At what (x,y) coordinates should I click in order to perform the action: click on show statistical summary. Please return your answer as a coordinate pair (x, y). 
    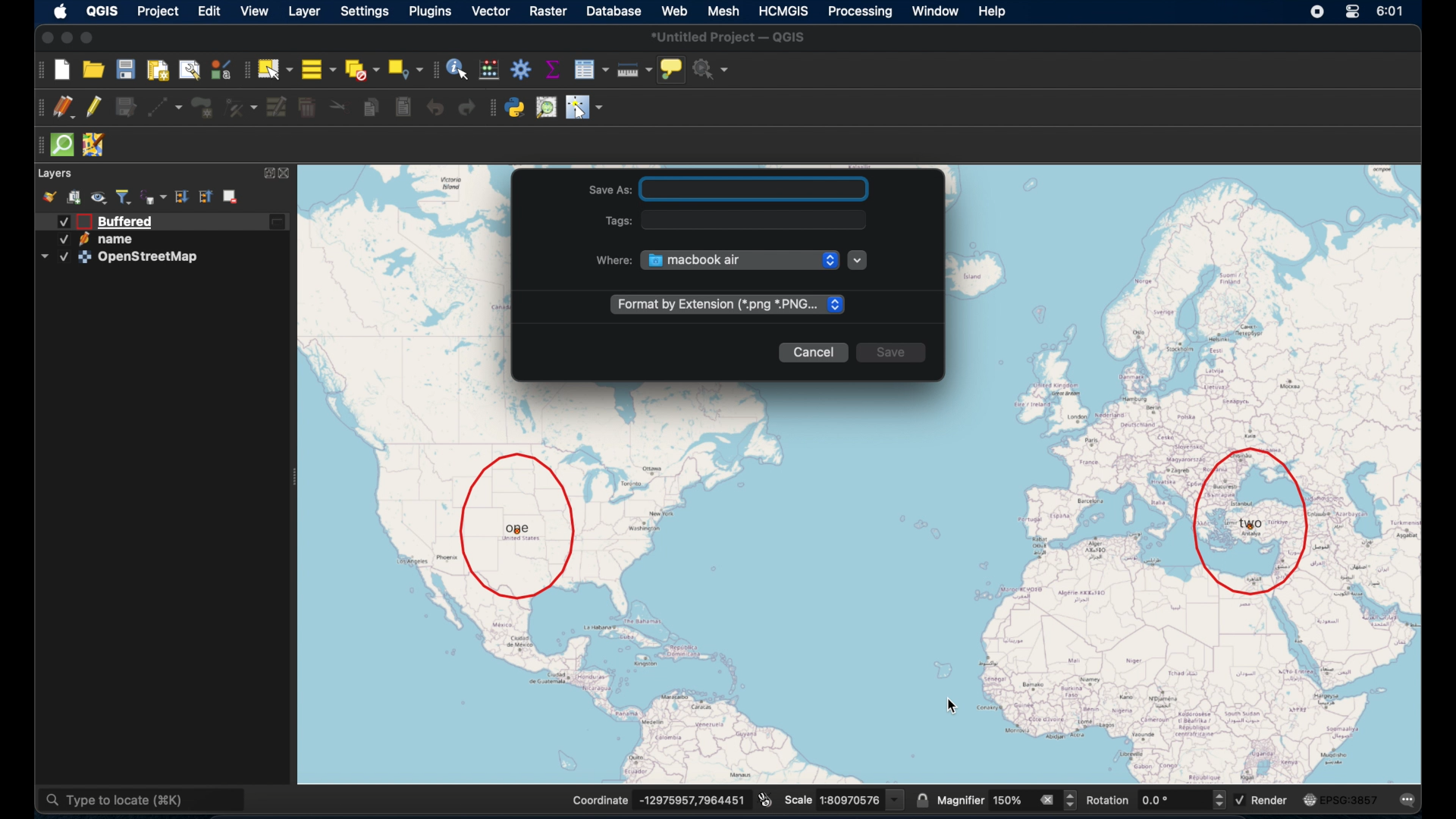
    Looking at the image, I should click on (554, 68).